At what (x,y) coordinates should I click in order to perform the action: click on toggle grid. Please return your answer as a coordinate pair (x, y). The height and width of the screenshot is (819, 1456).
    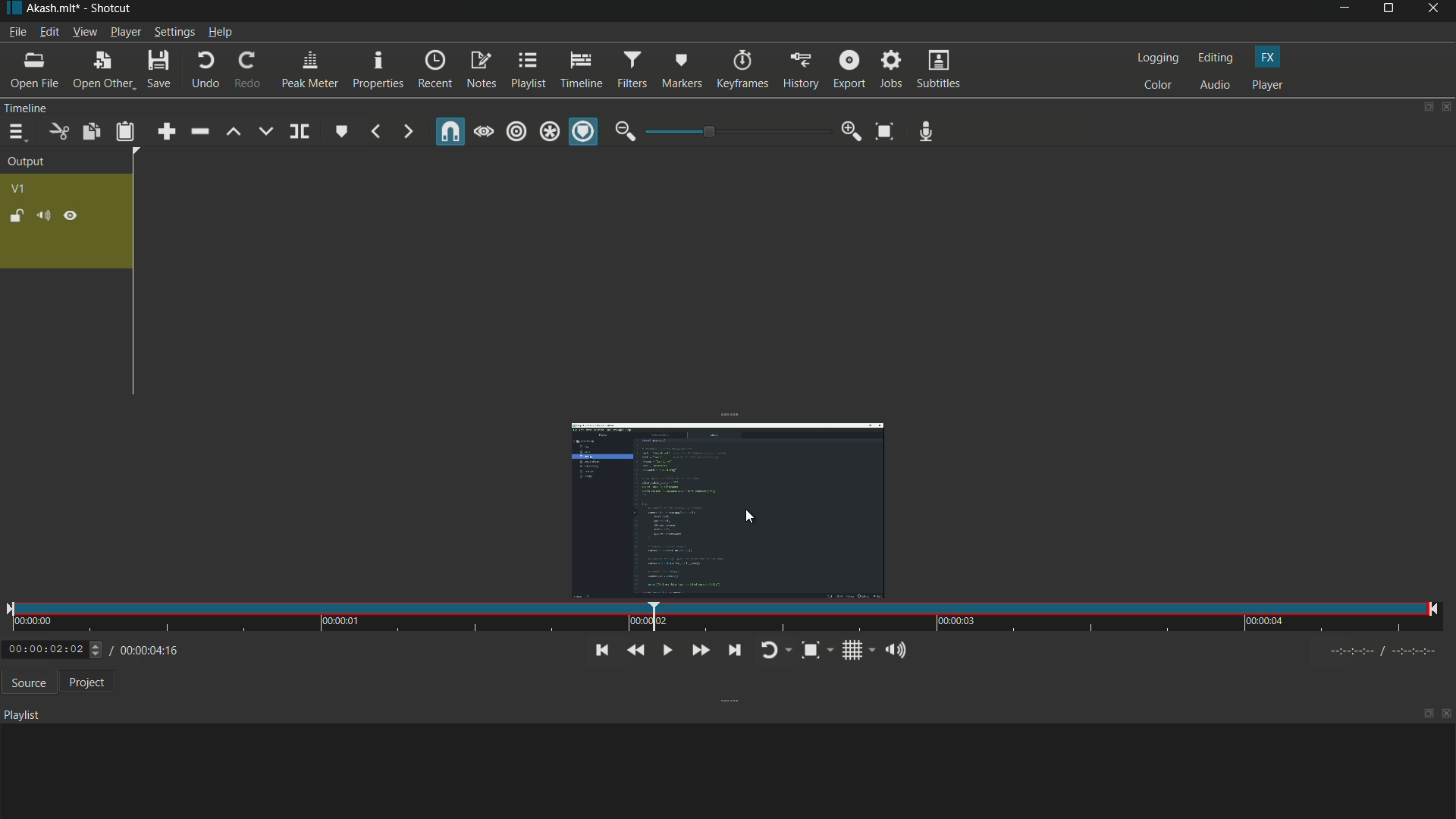
    Looking at the image, I should click on (857, 650).